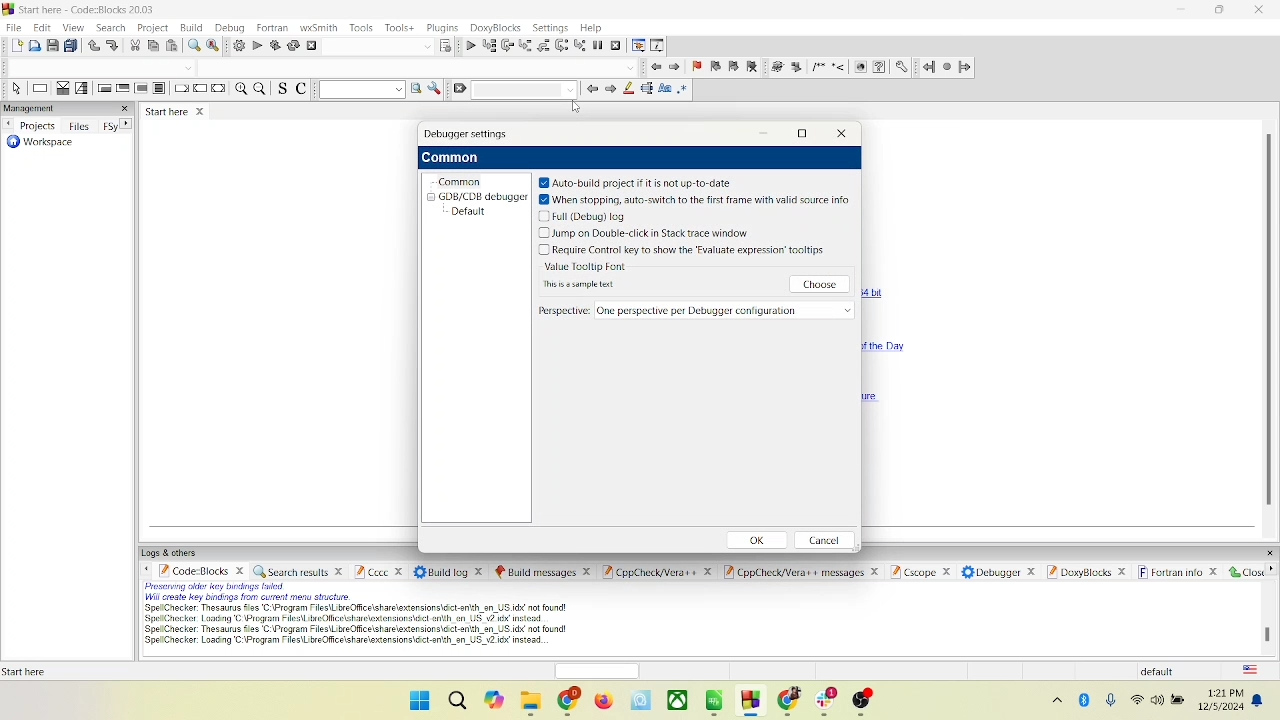  I want to click on GDB/CDB debugger, so click(478, 197).